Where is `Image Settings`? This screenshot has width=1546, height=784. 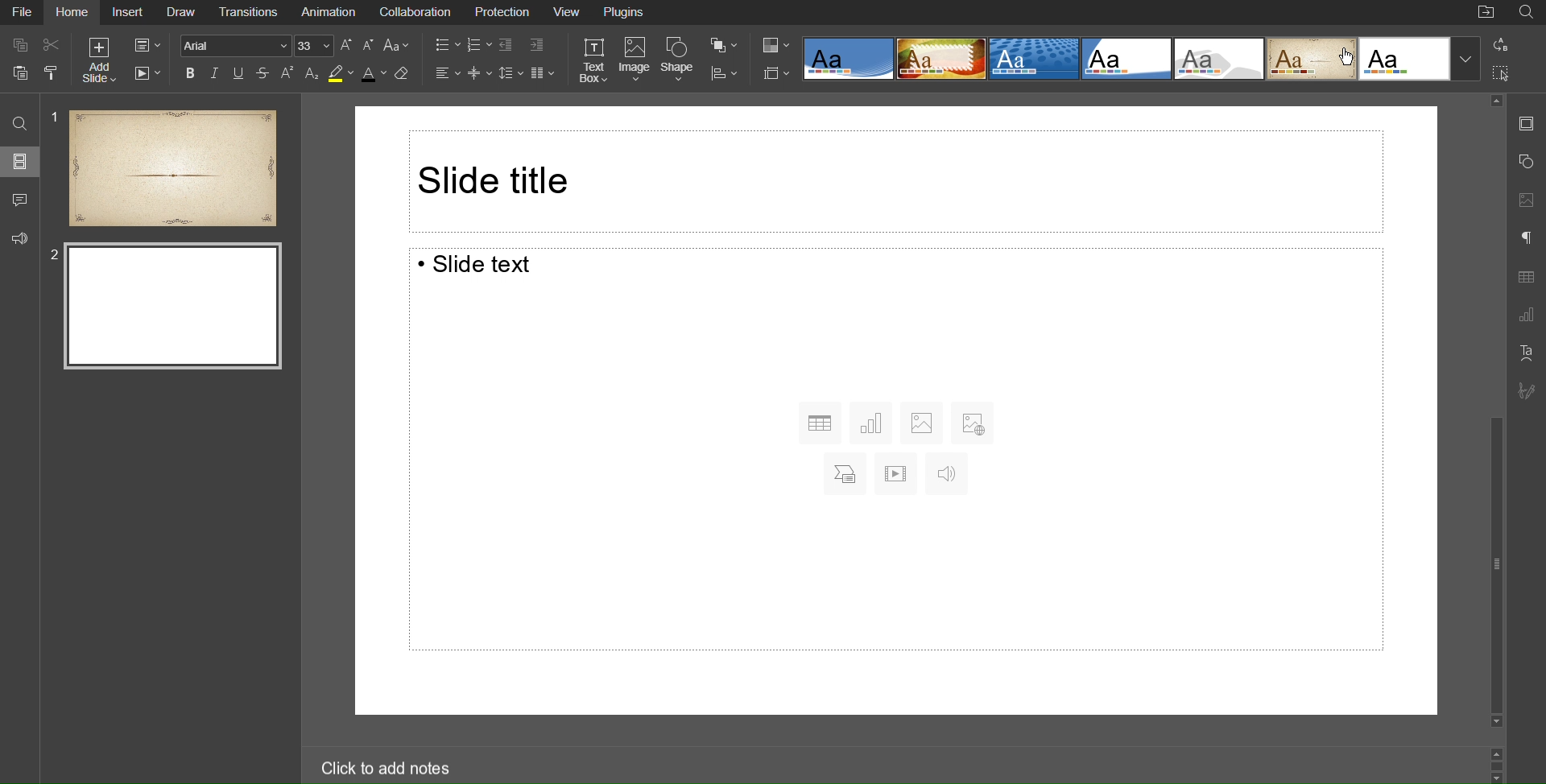
Image Settings is located at coordinates (1526, 201).